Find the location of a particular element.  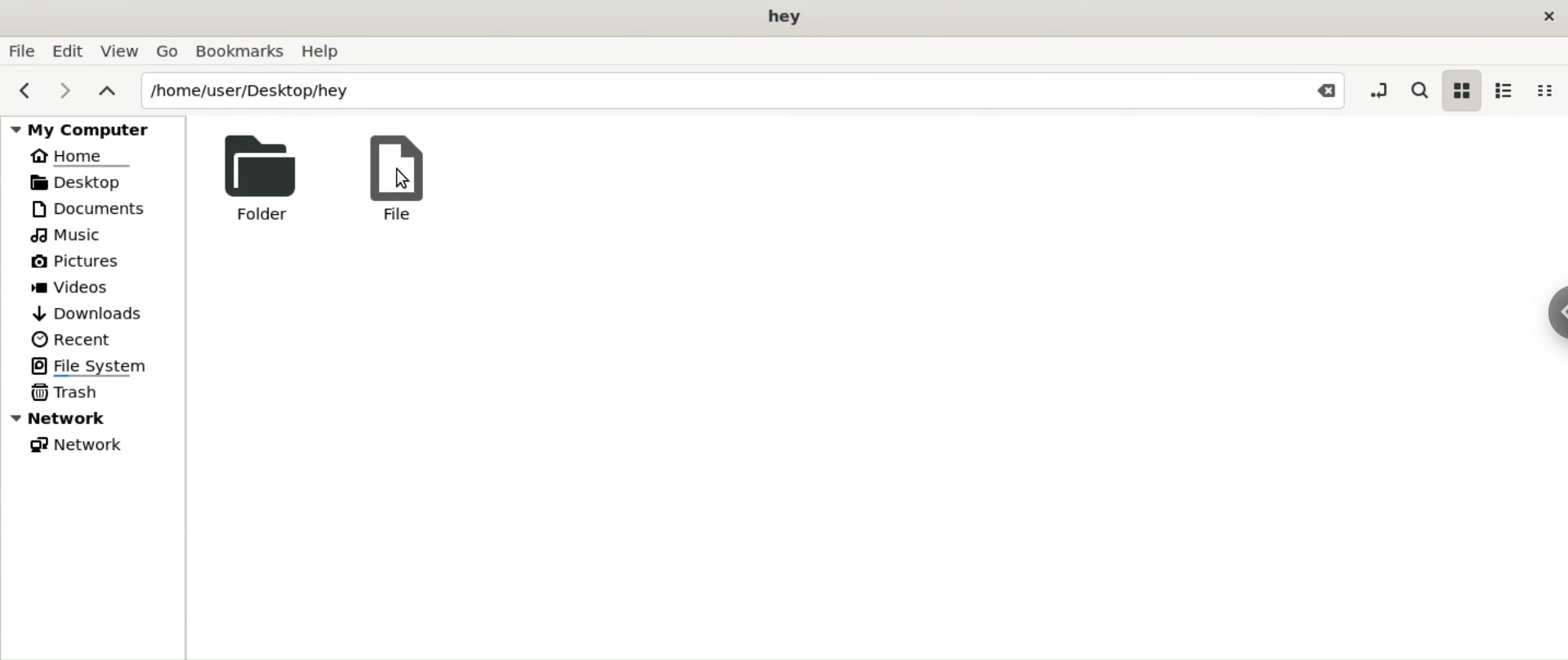

list view is located at coordinates (1507, 91).